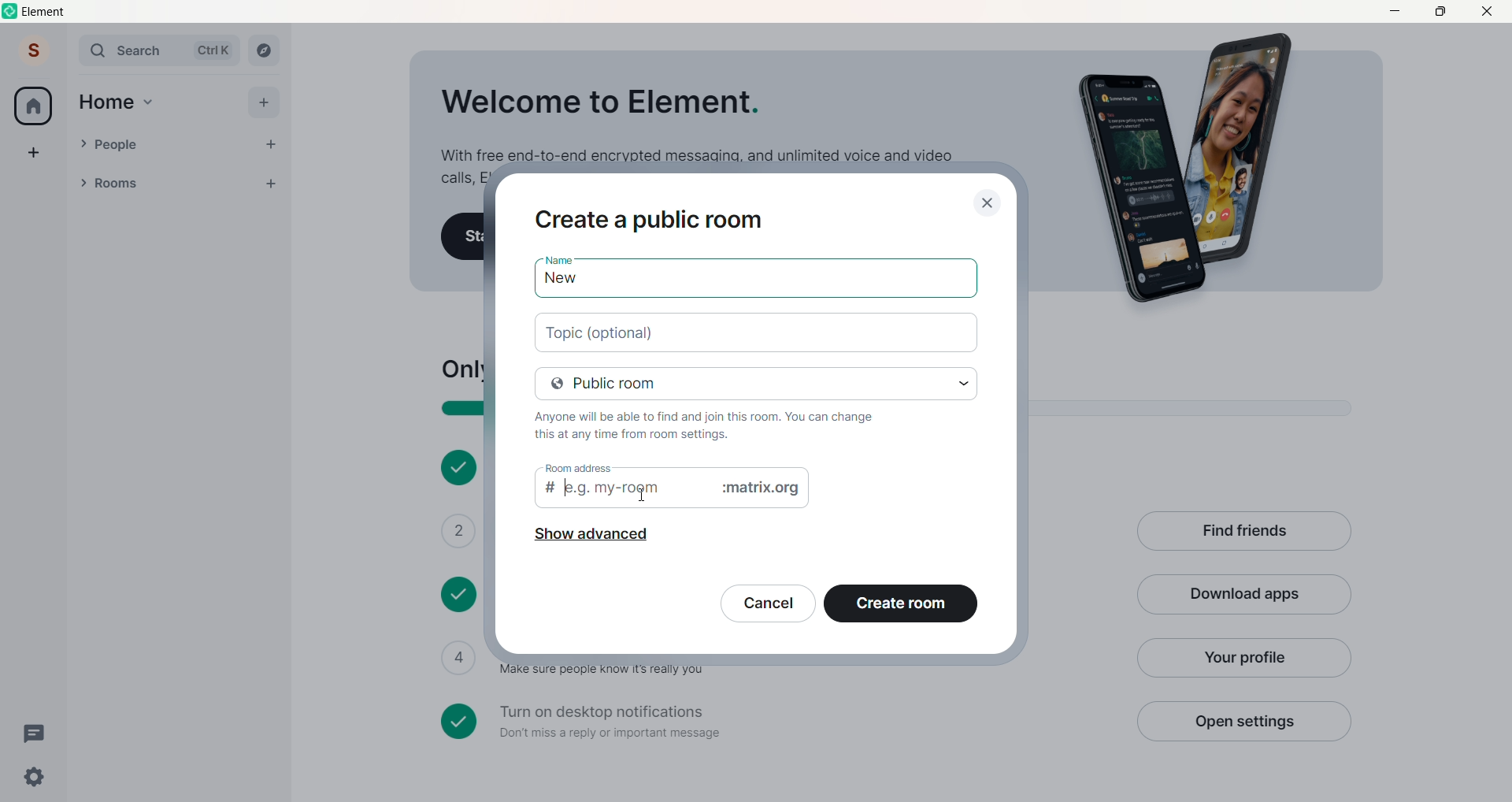 The height and width of the screenshot is (802, 1512). Describe the element at coordinates (239, 184) in the screenshot. I see `List options` at that location.